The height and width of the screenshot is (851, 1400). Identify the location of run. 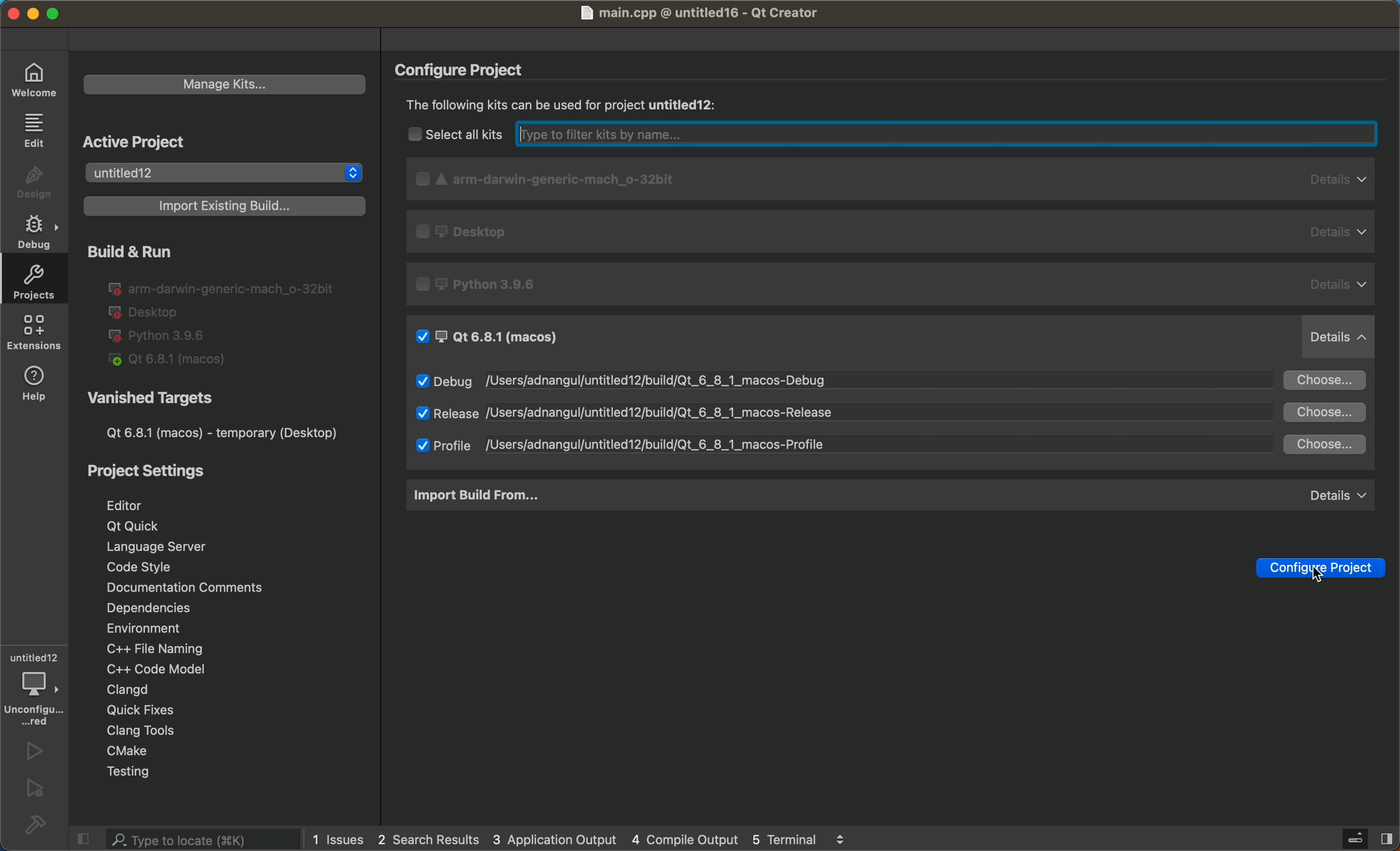
(36, 752).